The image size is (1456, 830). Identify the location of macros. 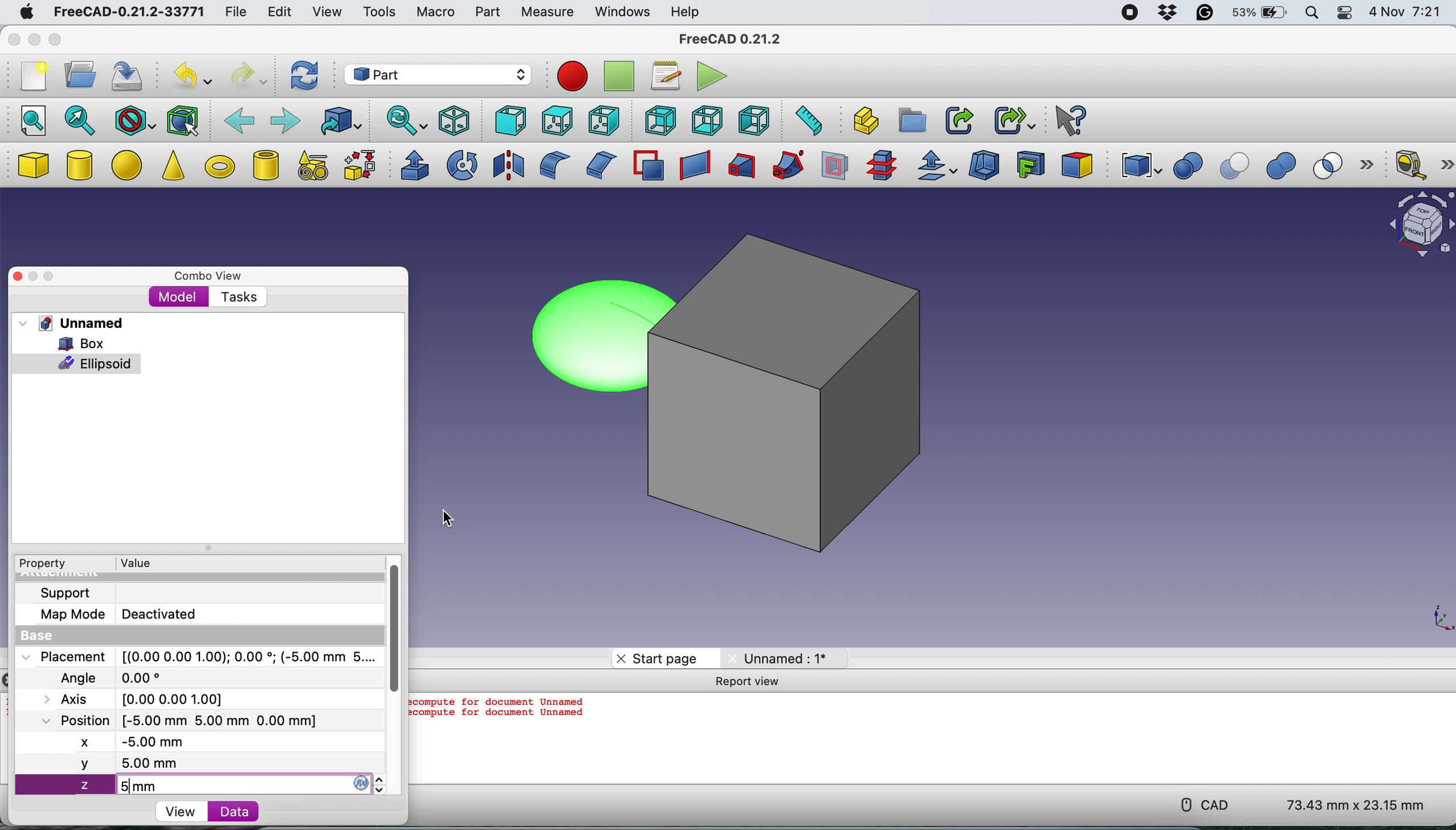
(663, 76).